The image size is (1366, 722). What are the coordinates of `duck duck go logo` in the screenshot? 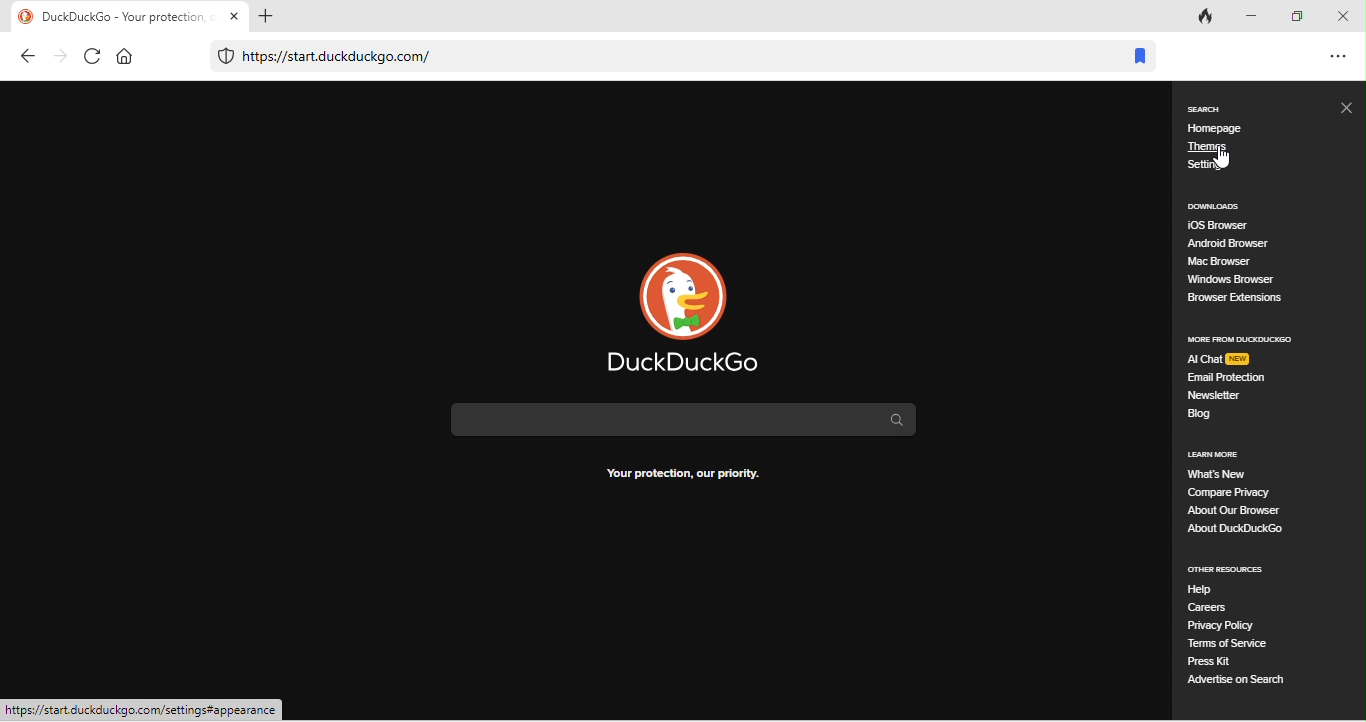 It's located at (684, 310).